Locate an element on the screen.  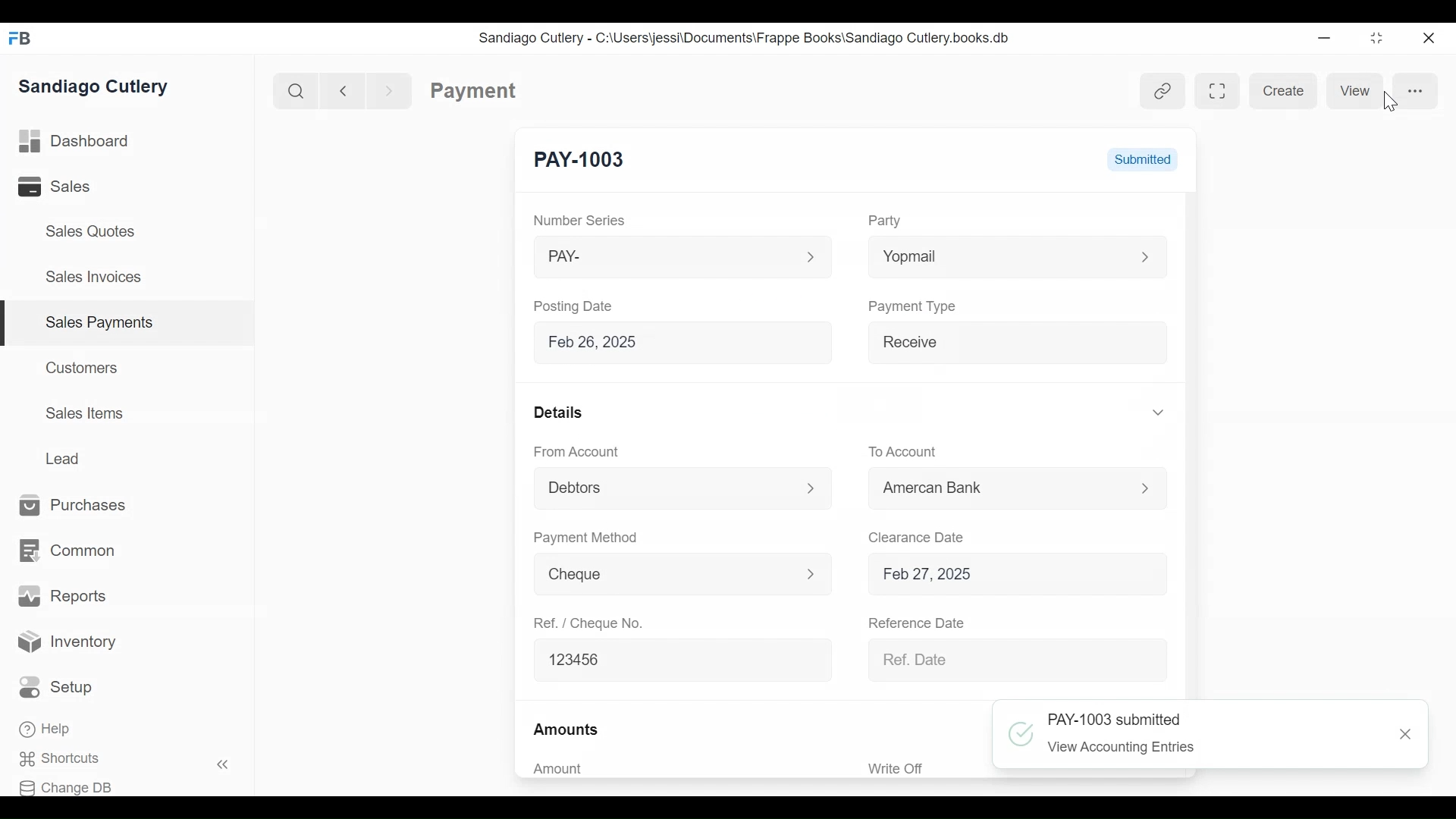
American Bank is located at coordinates (998, 488).